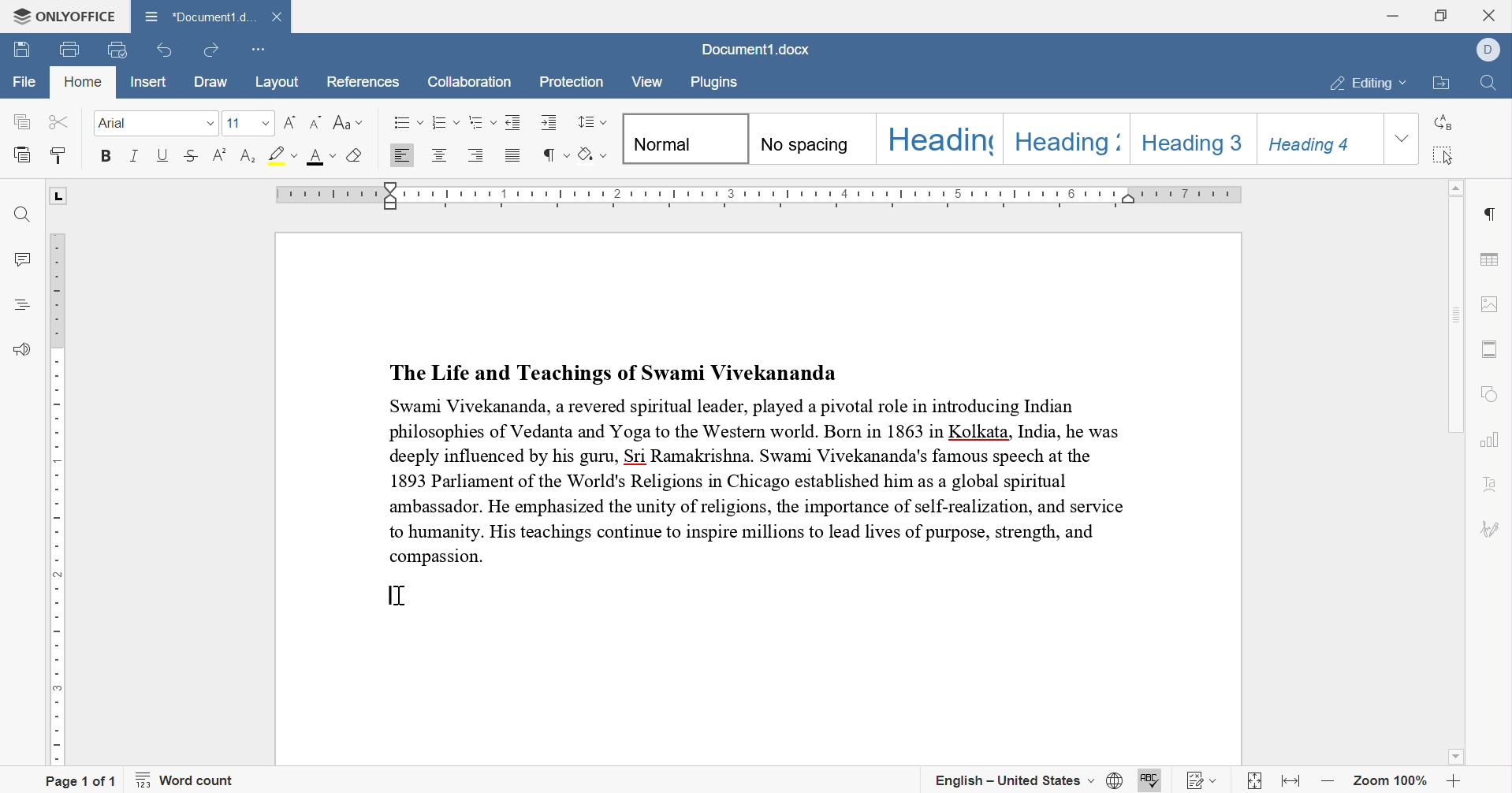  Describe the element at coordinates (61, 121) in the screenshot. I see `cut` at that location.